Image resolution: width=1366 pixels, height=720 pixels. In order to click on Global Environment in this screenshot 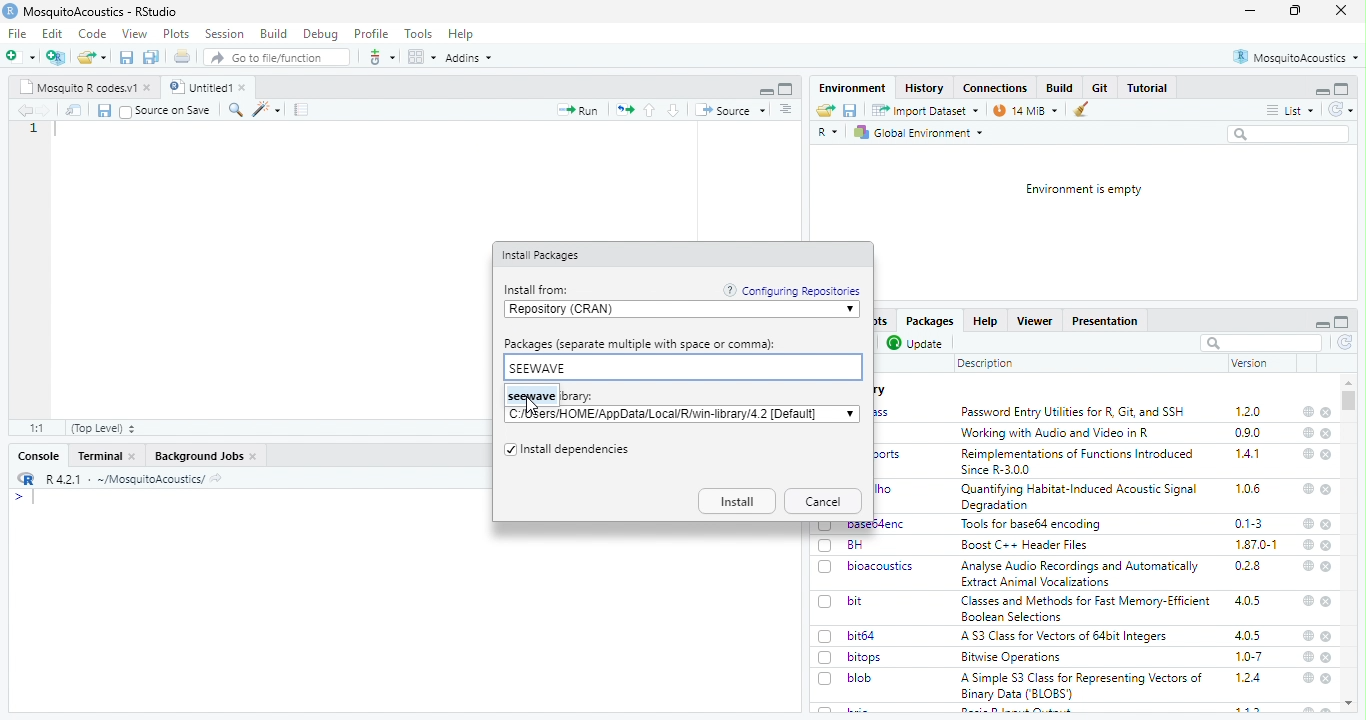, I will do `click(918, 133)`.